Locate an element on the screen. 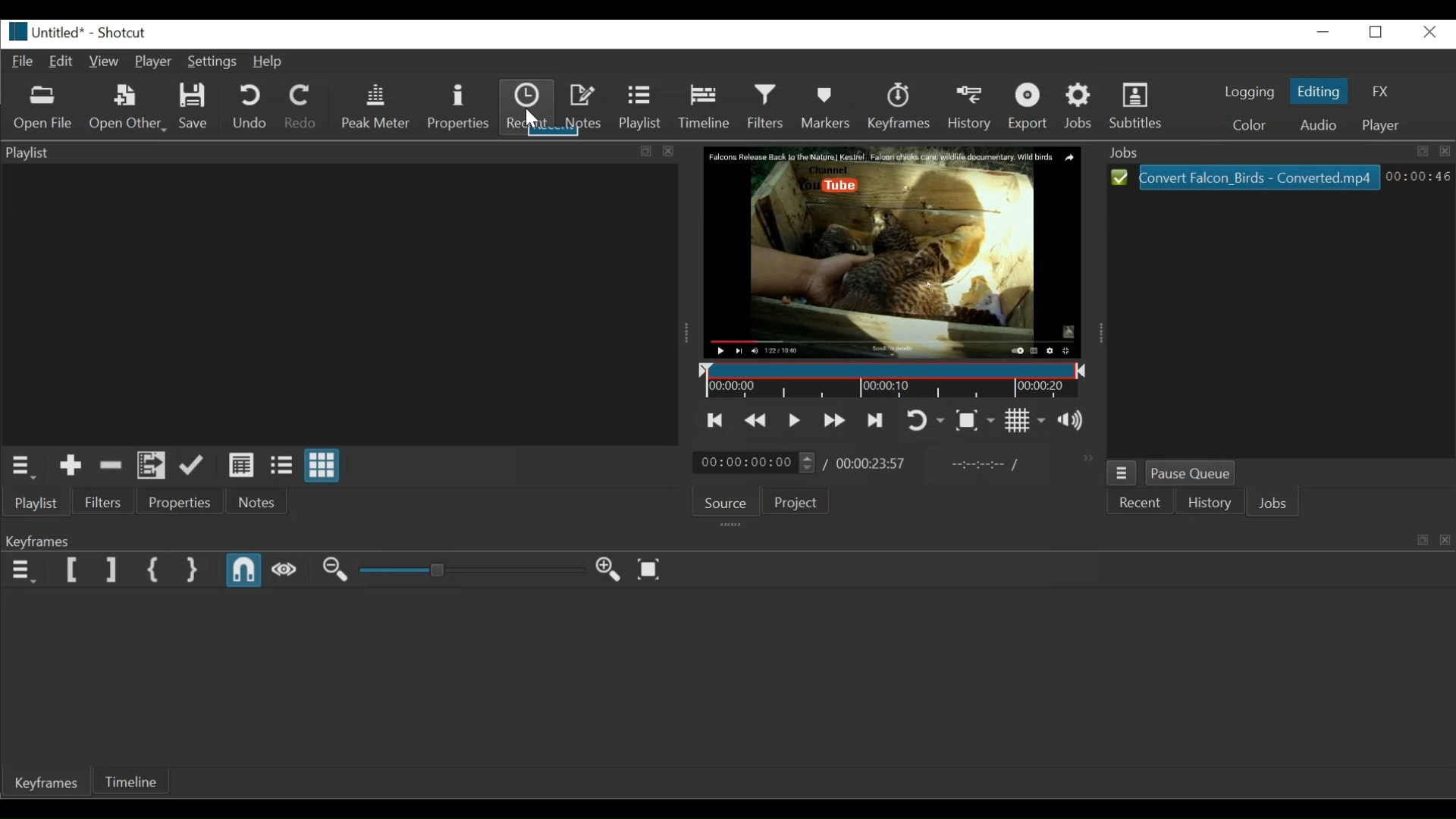  Filters is located at coordinates (766, 106).